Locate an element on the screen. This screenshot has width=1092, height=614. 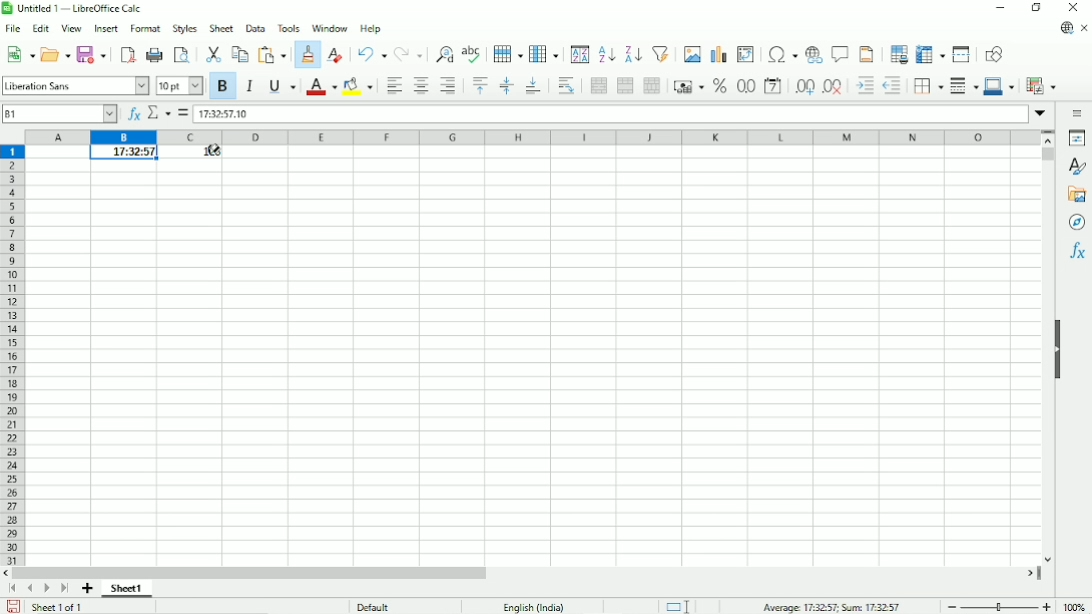
Formula is located at coordinates (183, 113).